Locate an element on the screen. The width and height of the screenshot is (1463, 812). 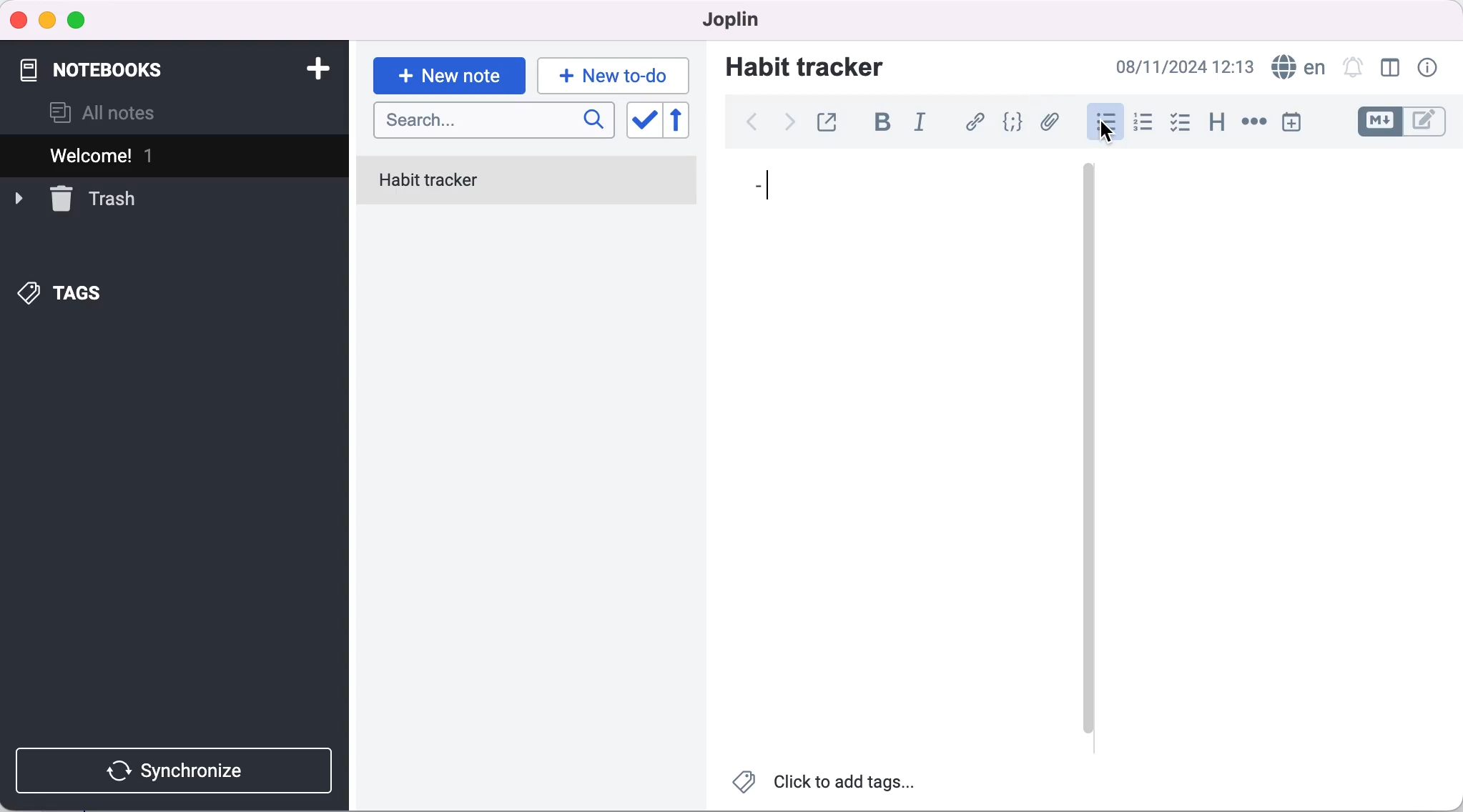
joplin is located at coordinates (725, 19).